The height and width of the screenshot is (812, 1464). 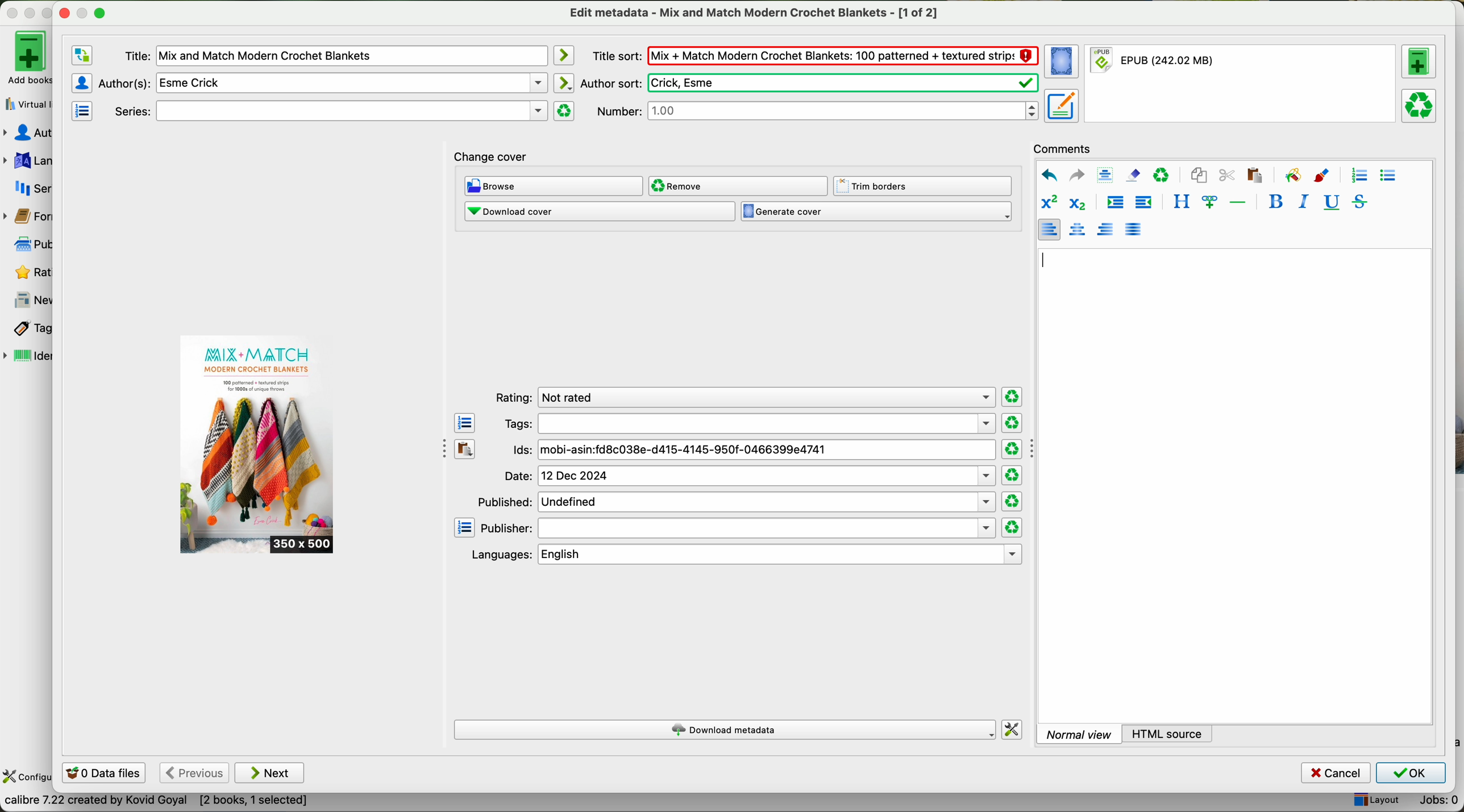 What do you see at coordinates (738, 528) in the screenshot?
I see `publisher` at bounding box center [738, 528].